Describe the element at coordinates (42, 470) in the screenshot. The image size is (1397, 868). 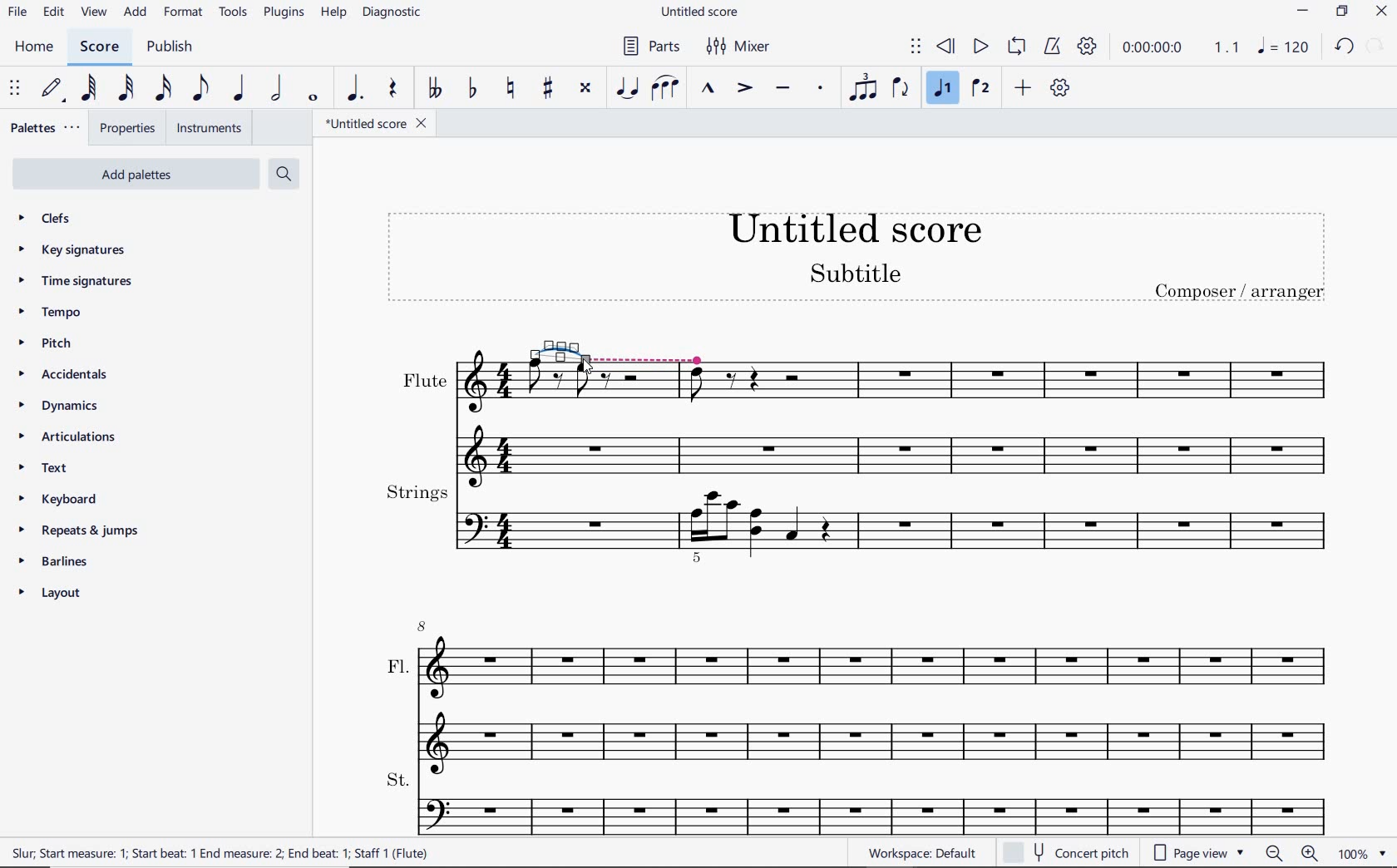
I see `text` at that location.